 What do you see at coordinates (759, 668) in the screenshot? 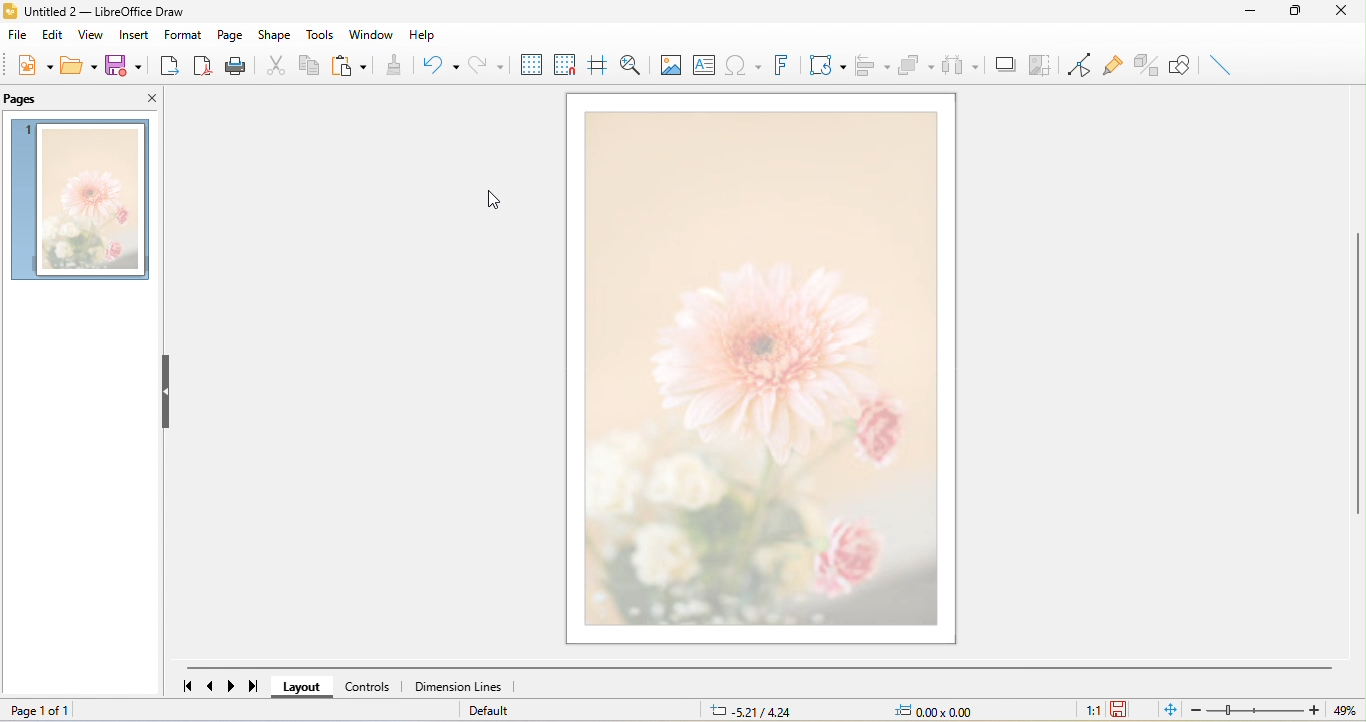
I see `horizontal scroll bar` at bounding box center [759, 668].